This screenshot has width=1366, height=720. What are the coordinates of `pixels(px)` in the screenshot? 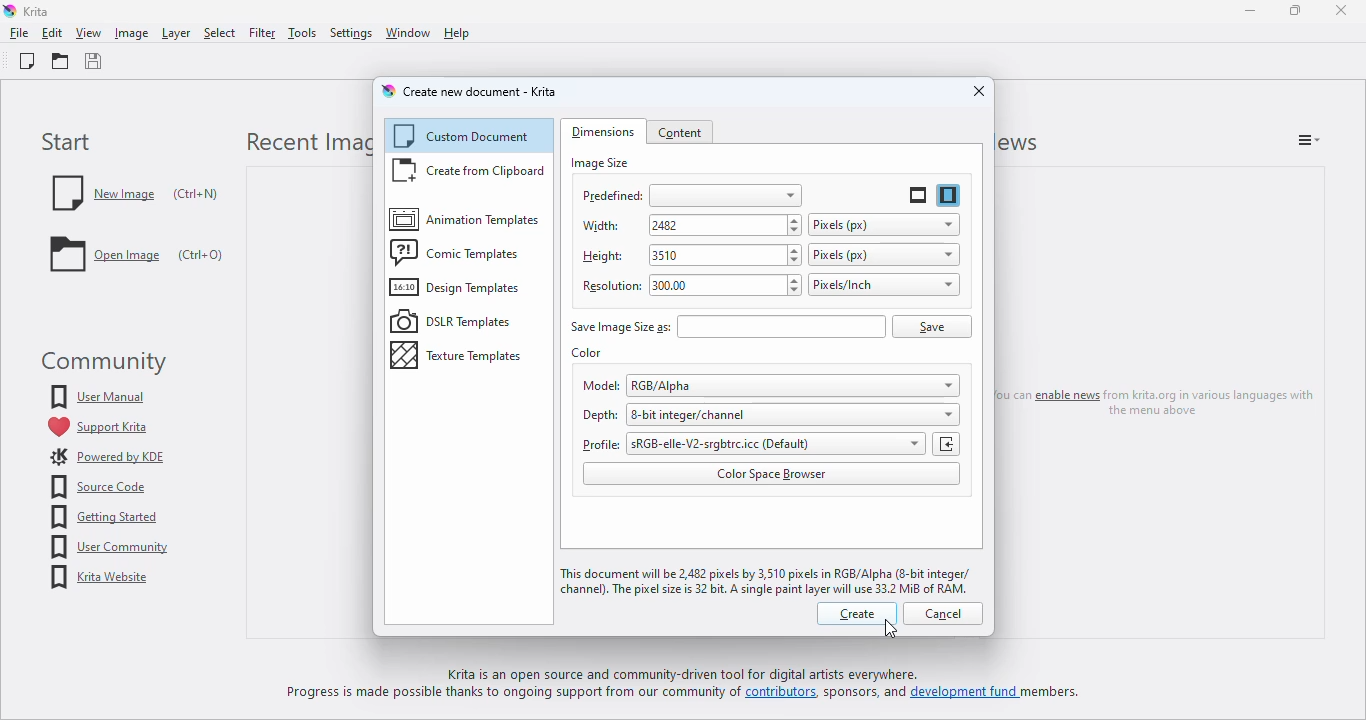 It's located at (884, 224).